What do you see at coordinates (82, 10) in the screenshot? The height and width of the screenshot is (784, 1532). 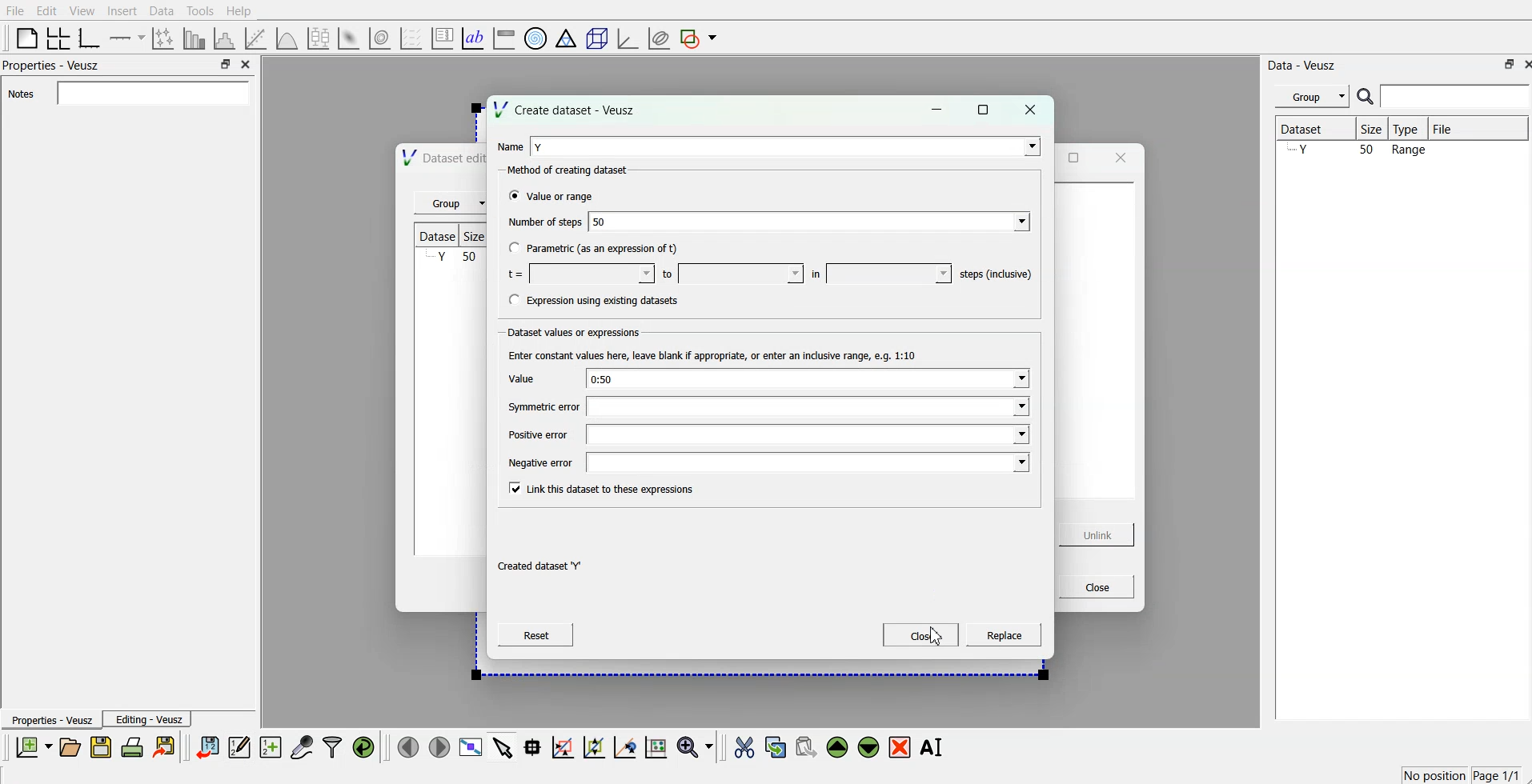 I see `View` at bounding box center [82, 10].